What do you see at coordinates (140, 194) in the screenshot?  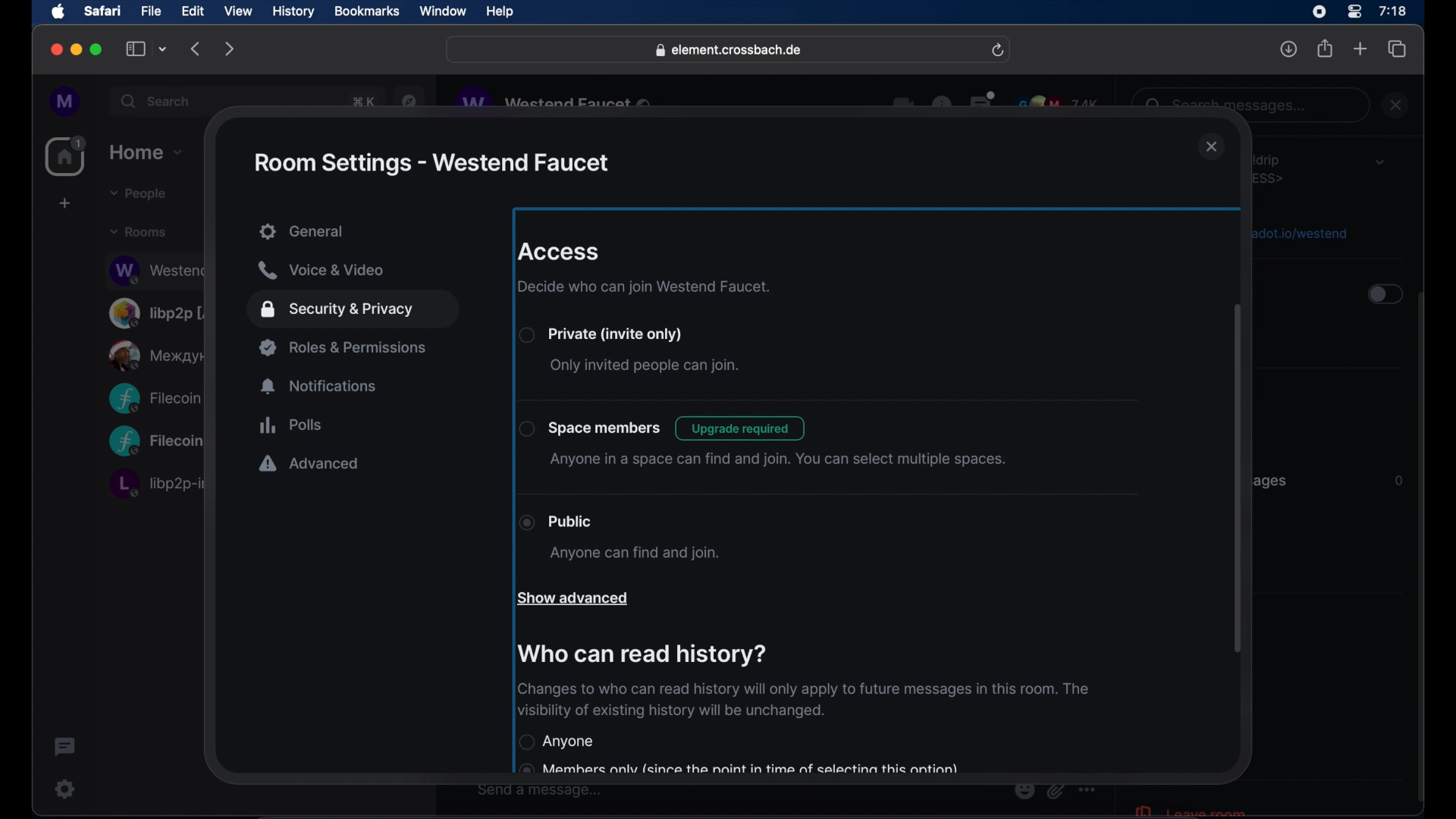 I see `` at bounding box center [140, 194].